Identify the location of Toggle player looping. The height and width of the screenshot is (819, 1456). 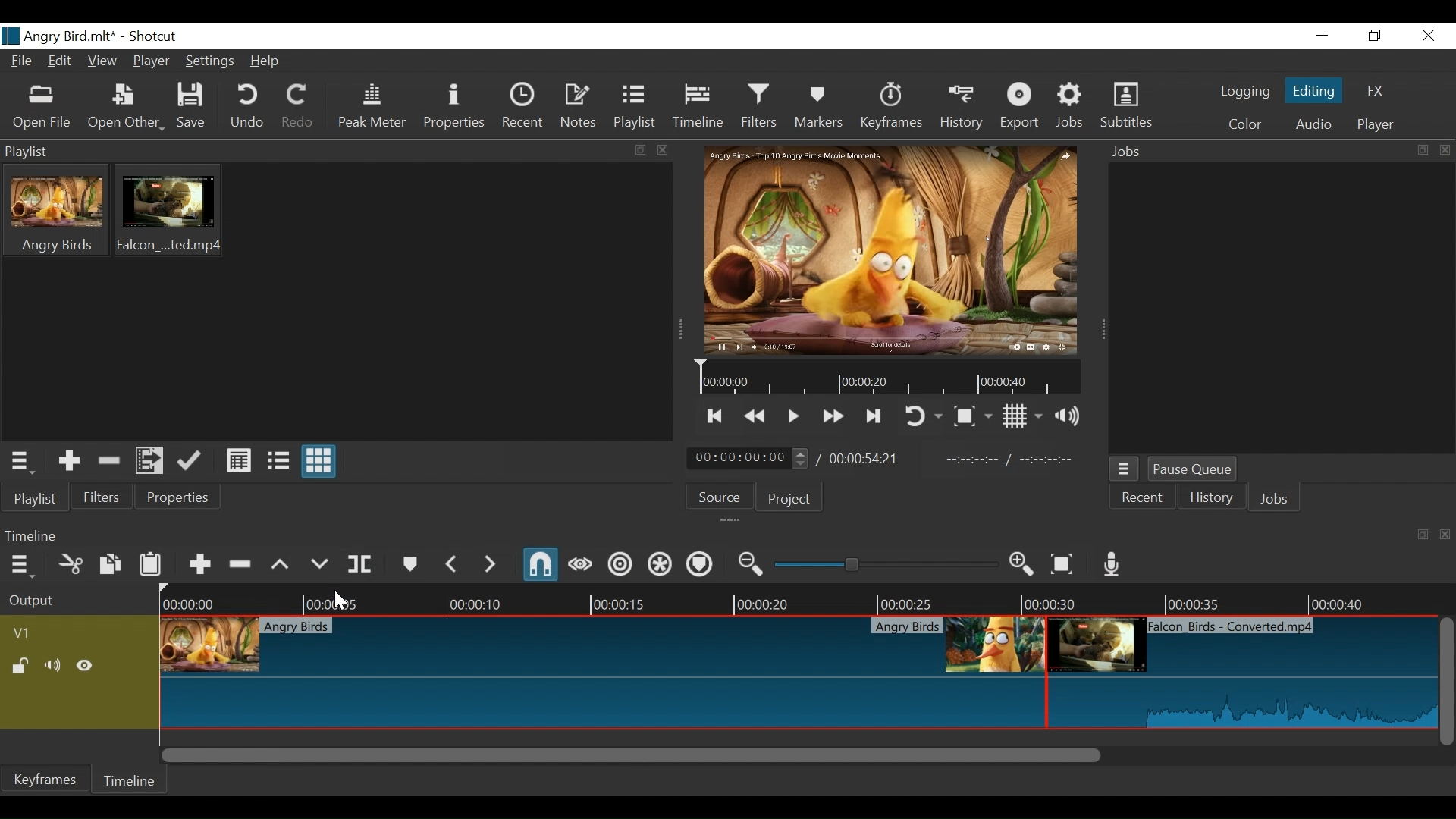
(924, 417).